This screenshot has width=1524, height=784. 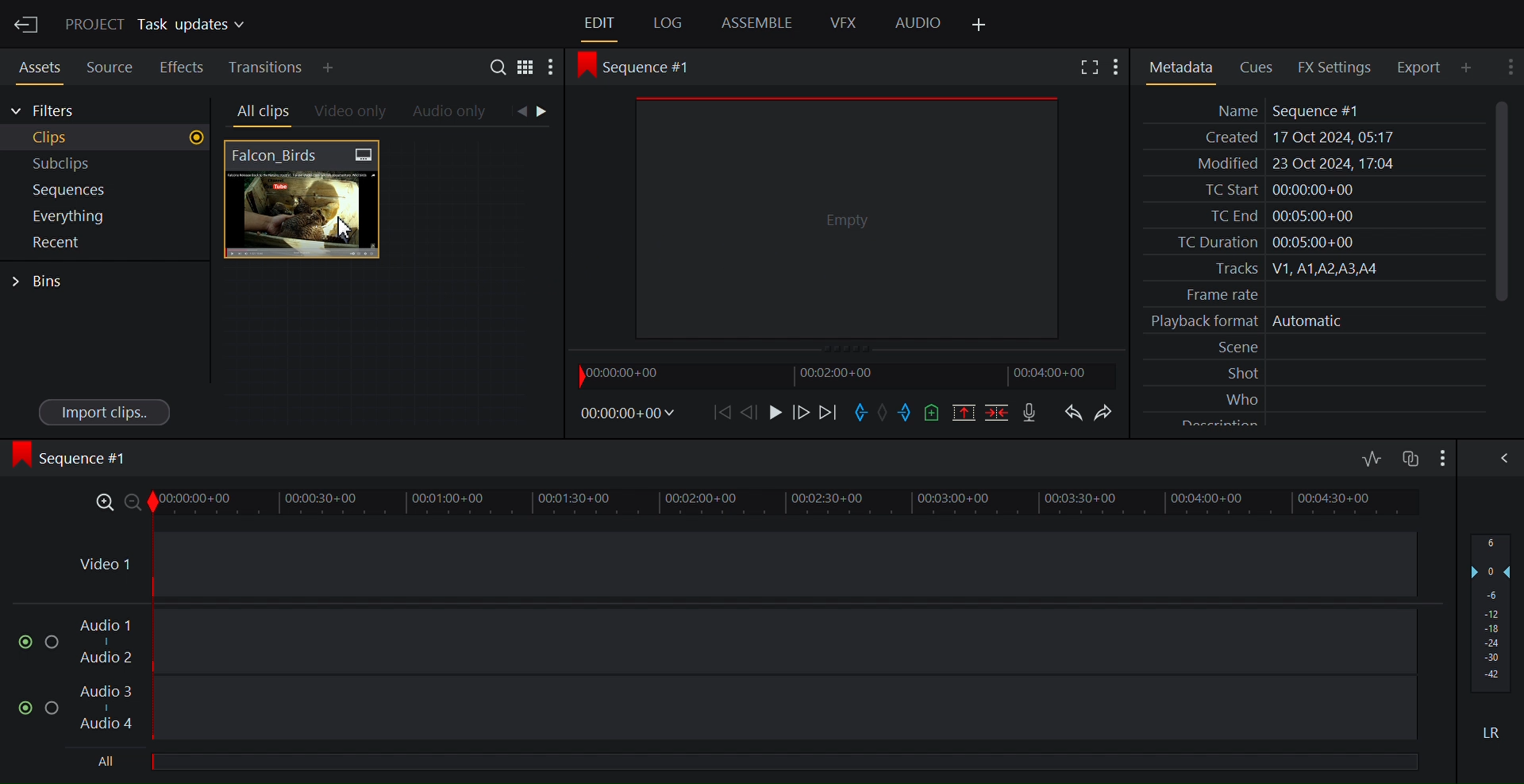 I want to click on Frame rate, so click(x=1307, y=292).